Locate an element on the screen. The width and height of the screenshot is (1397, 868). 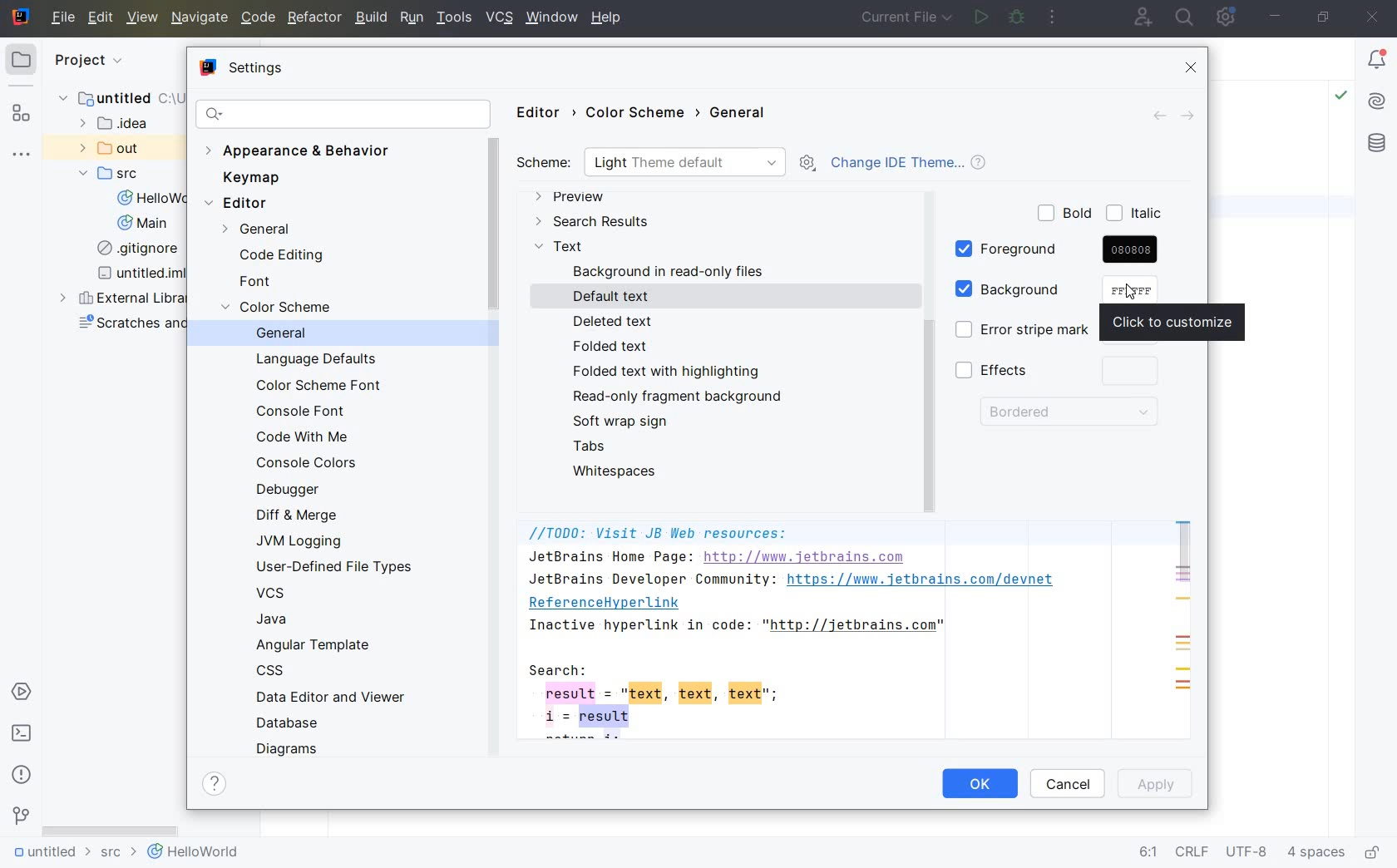
run is located at coordinates (980, 18).